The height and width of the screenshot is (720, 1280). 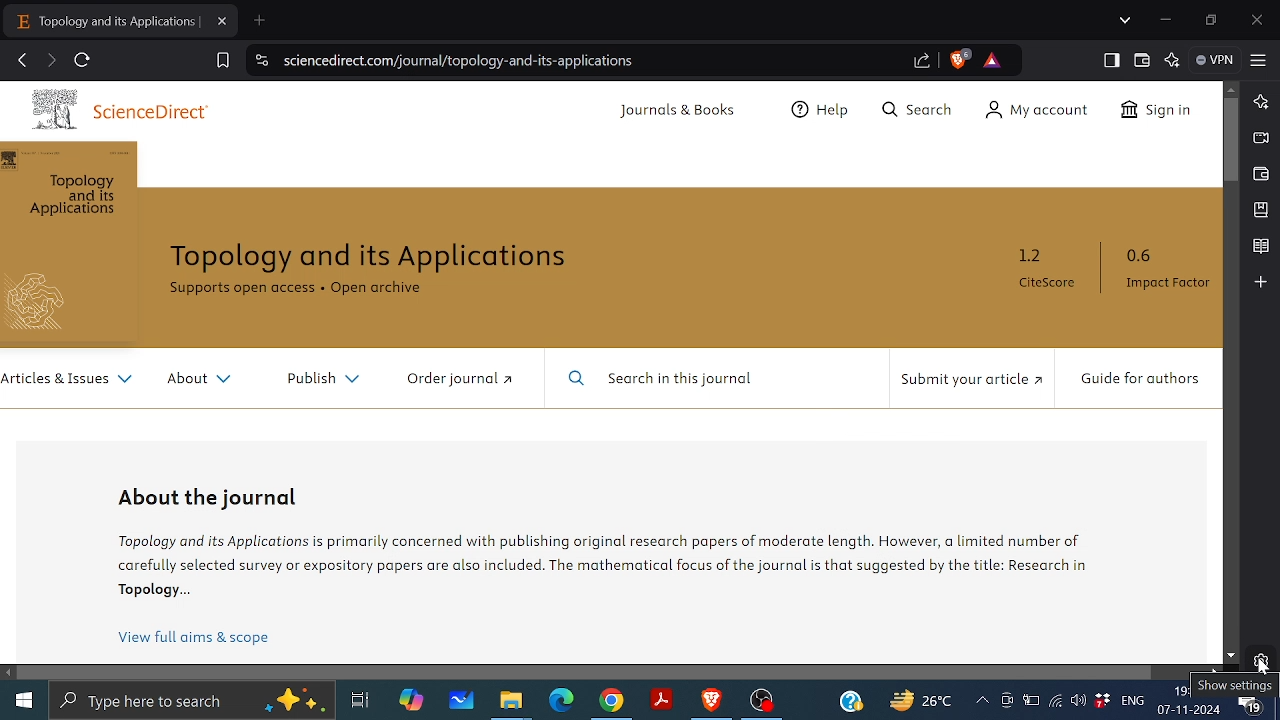 I want to click on wallet, so click(x=1261, y=172).